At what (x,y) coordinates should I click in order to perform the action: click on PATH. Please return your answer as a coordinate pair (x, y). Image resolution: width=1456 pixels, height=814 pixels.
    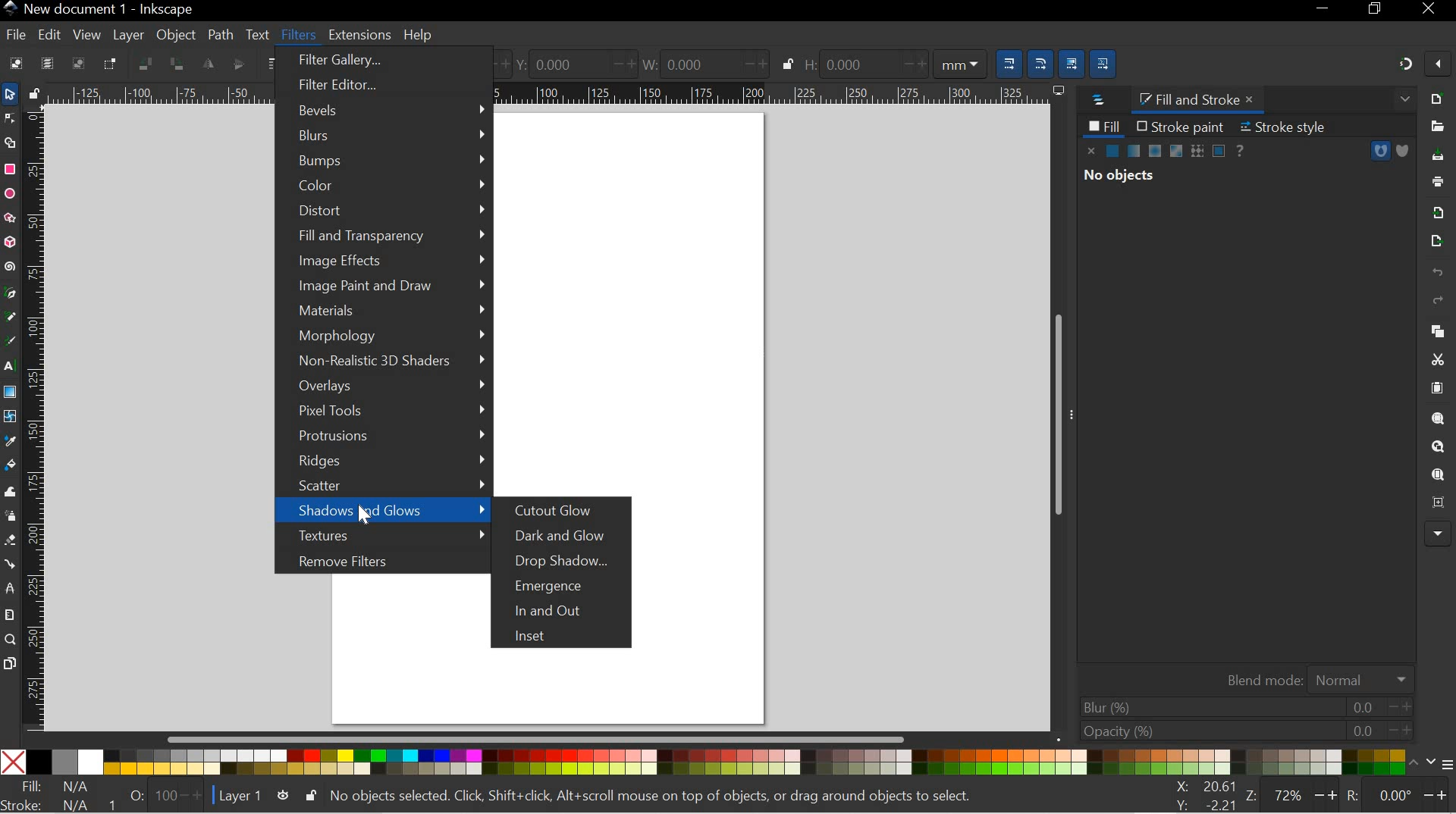
    Looking at the image, I should click on (1380, 151).